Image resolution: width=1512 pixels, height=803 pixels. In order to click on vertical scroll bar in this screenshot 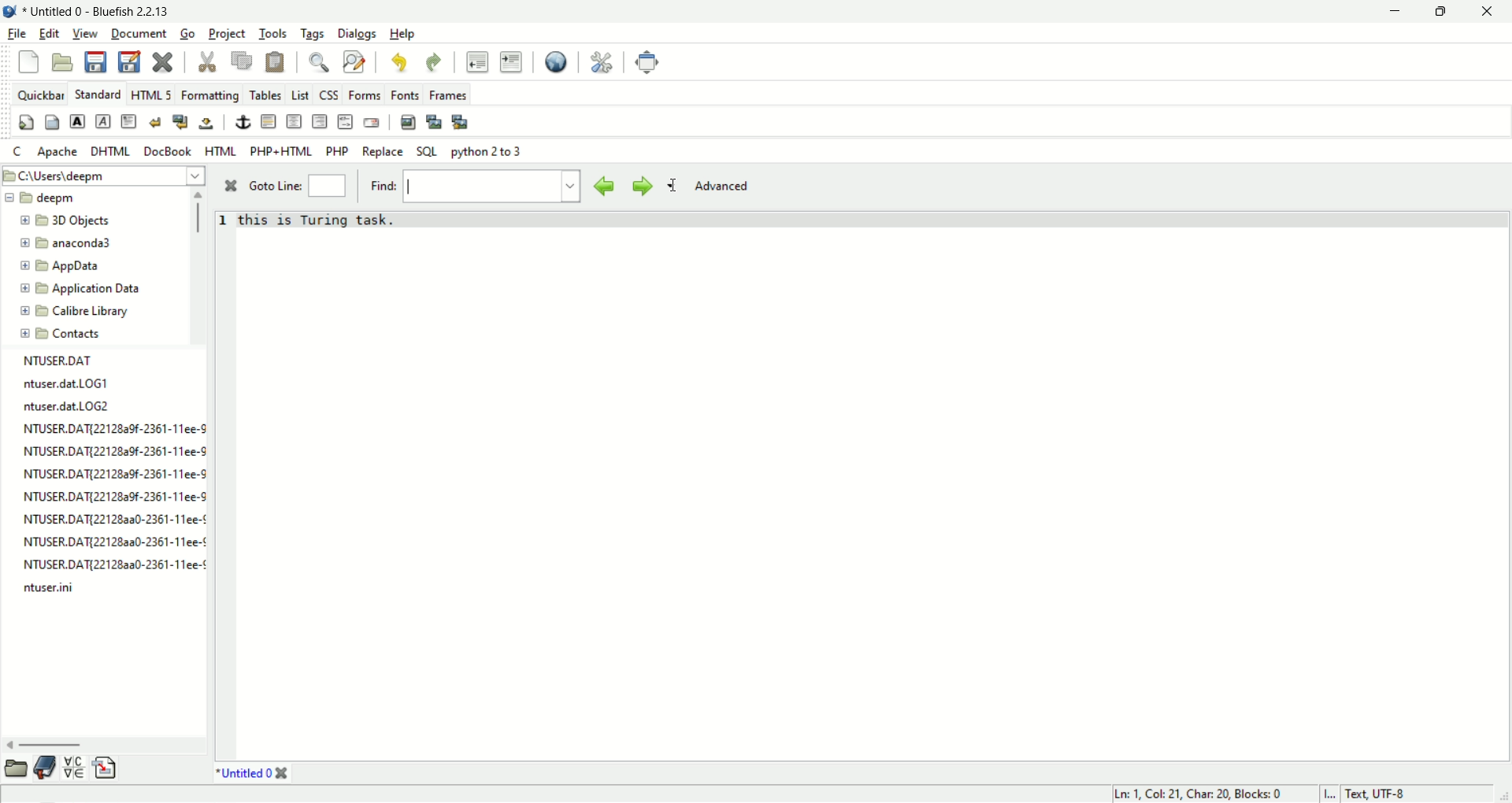, I will do `click(202, 214)`.